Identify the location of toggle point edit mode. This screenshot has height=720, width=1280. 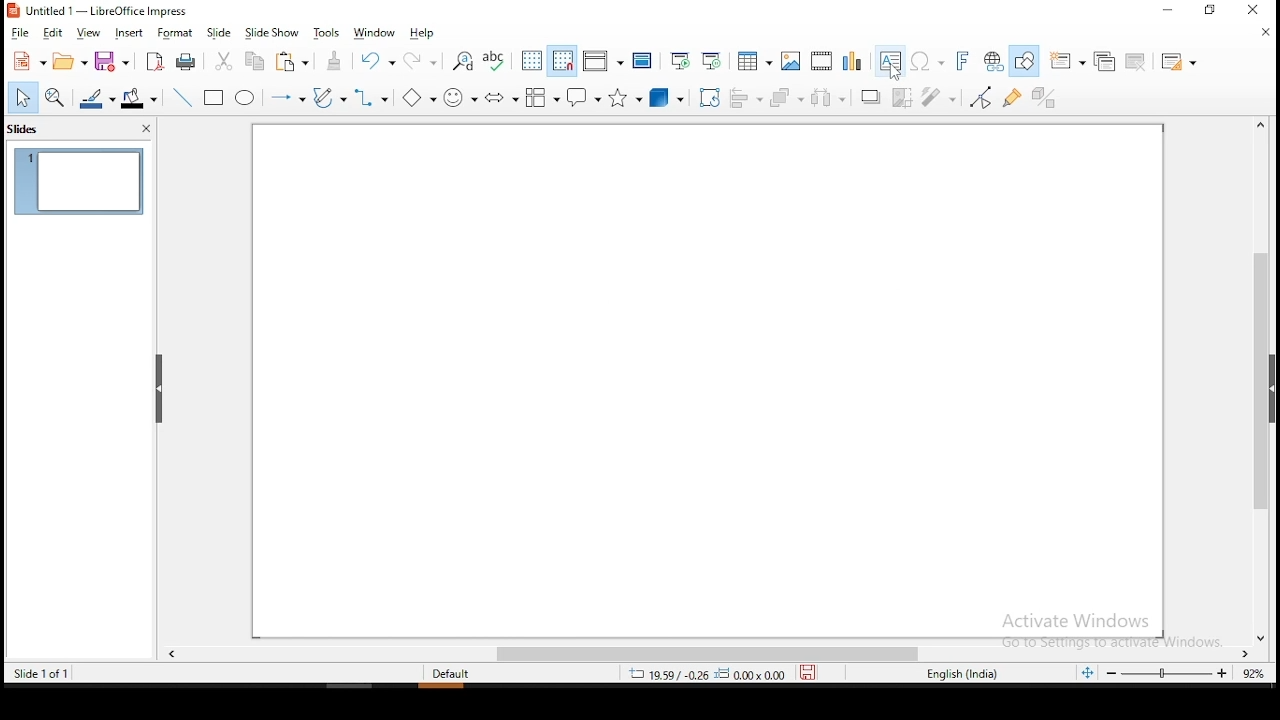
(979, 97).